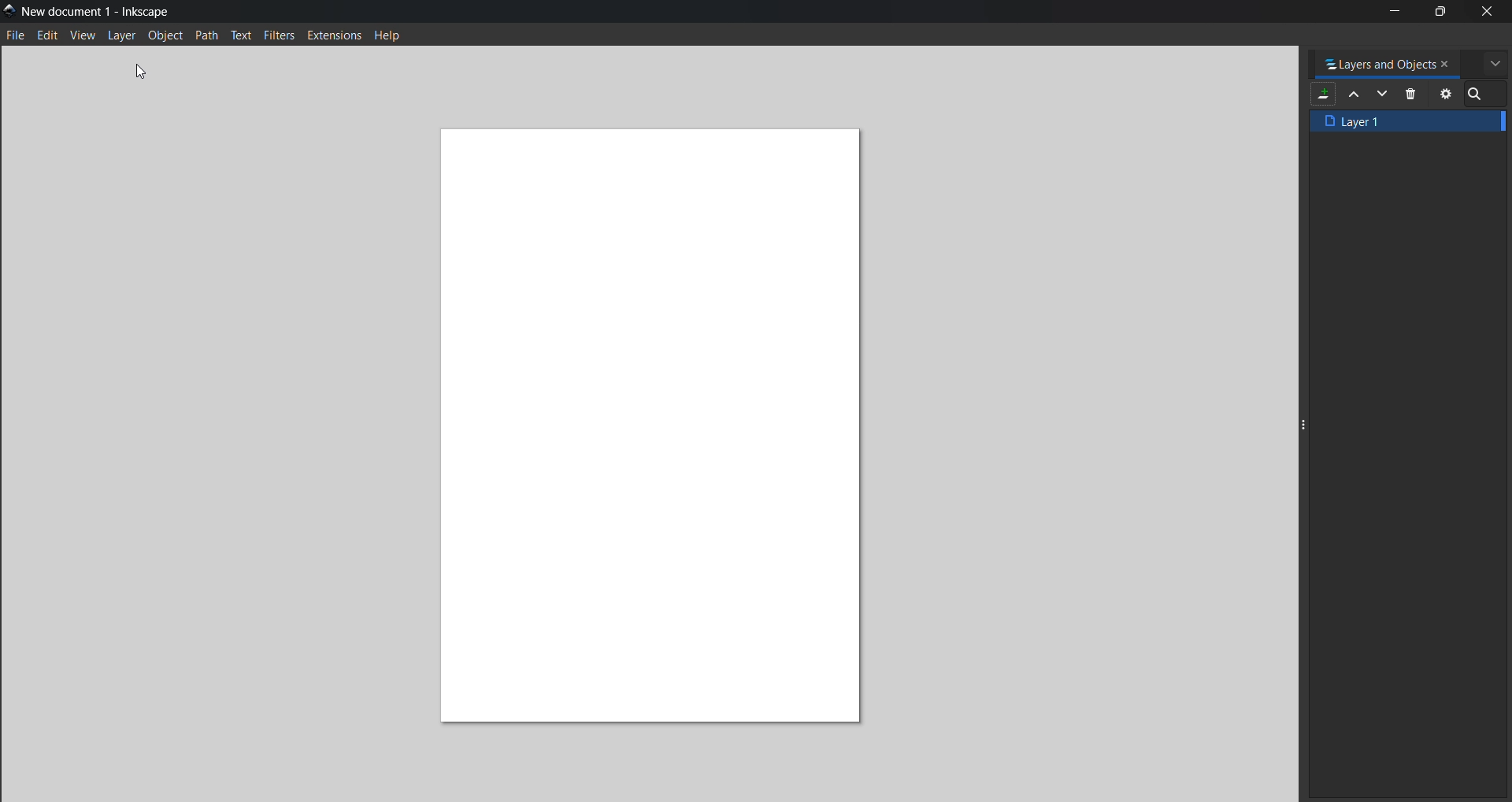  Describe the element at coordinates (124, 37) in the screenshot. I see `layer` at that location.